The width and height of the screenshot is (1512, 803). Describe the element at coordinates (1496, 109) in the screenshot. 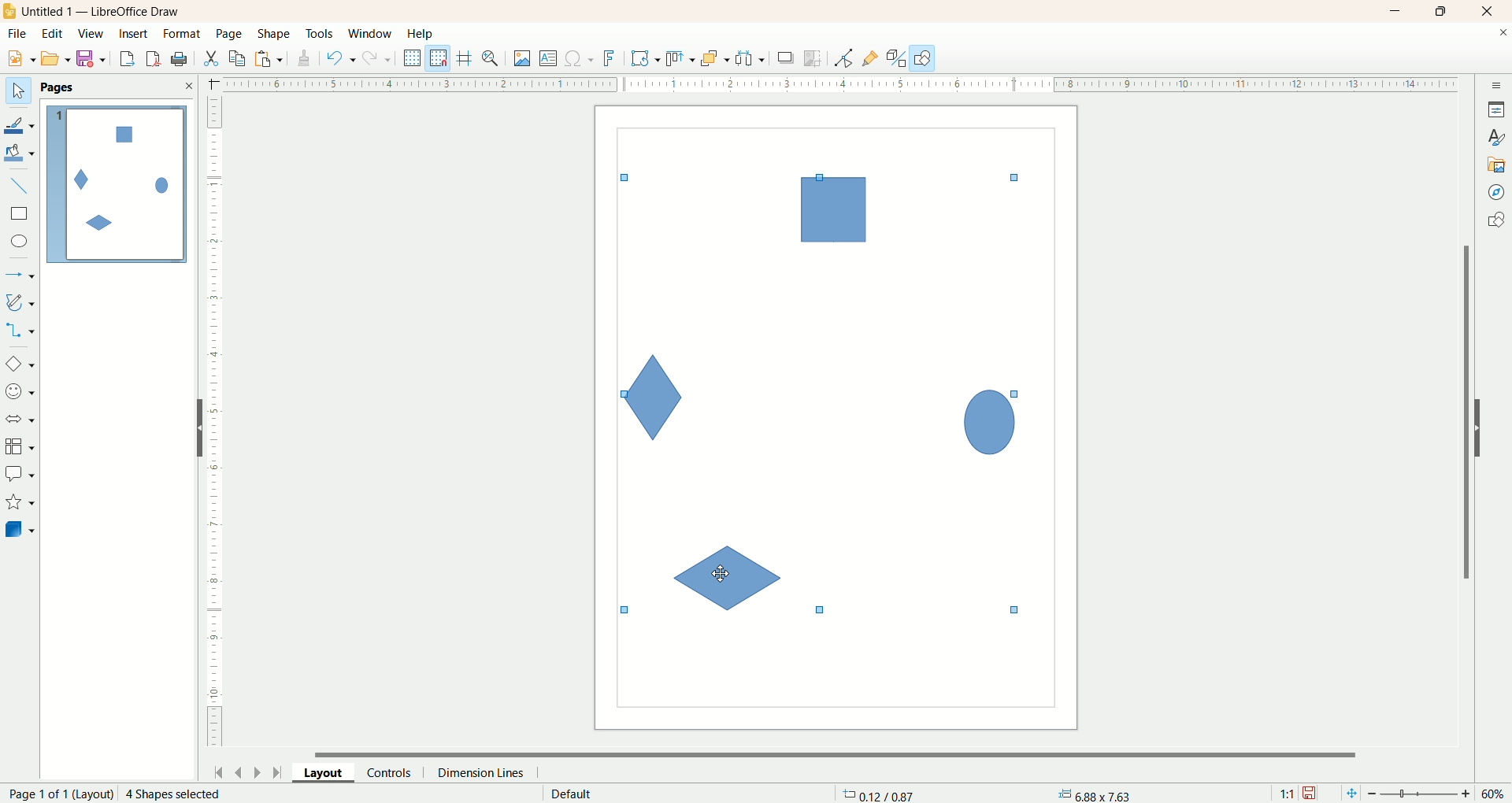

I see `properties` at that location.